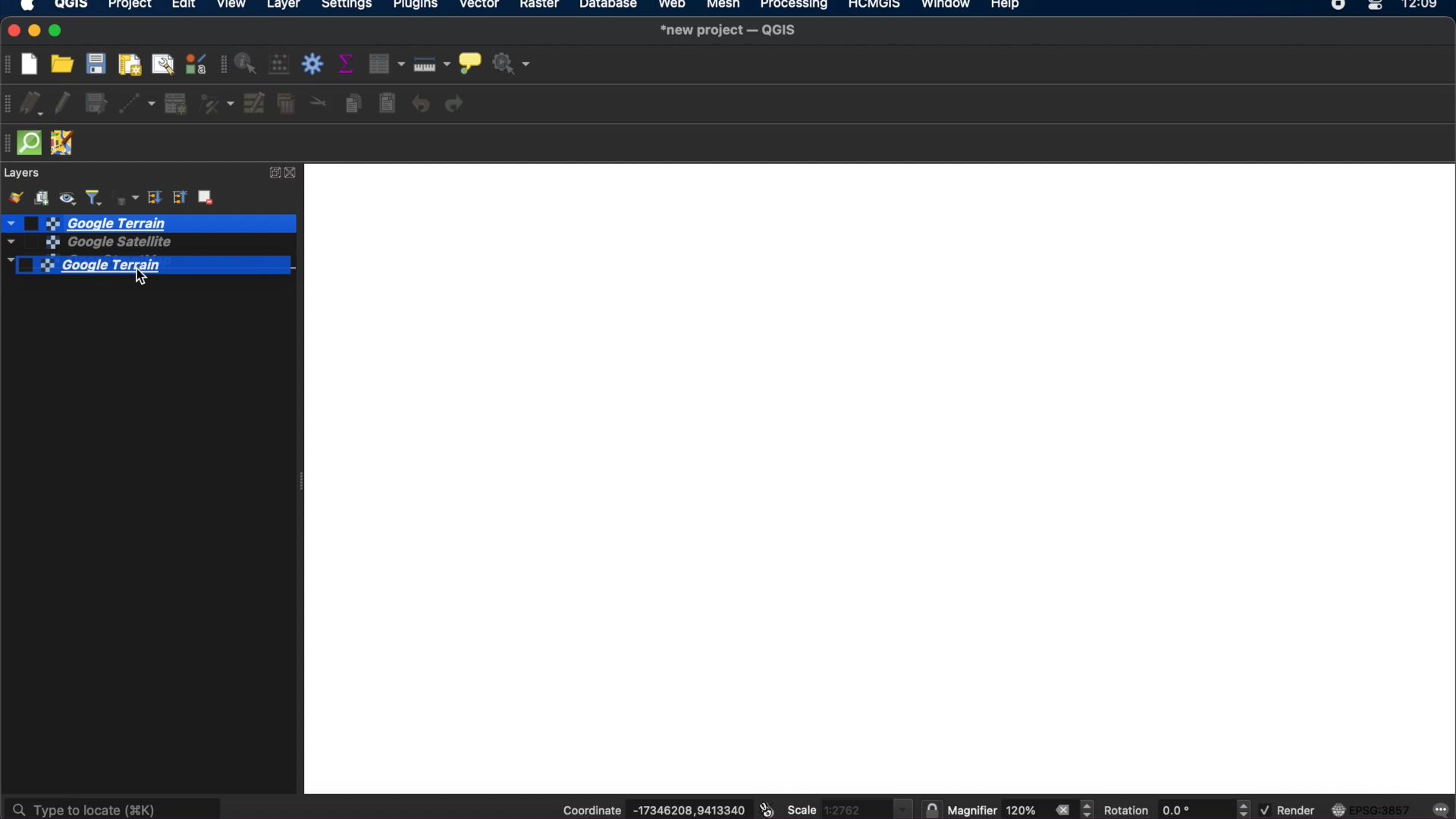 The width and height of the screenshot is (1456, 819). Describe the element at coordinates (195, 64) in the screenshot. I see `style manager` at that location.